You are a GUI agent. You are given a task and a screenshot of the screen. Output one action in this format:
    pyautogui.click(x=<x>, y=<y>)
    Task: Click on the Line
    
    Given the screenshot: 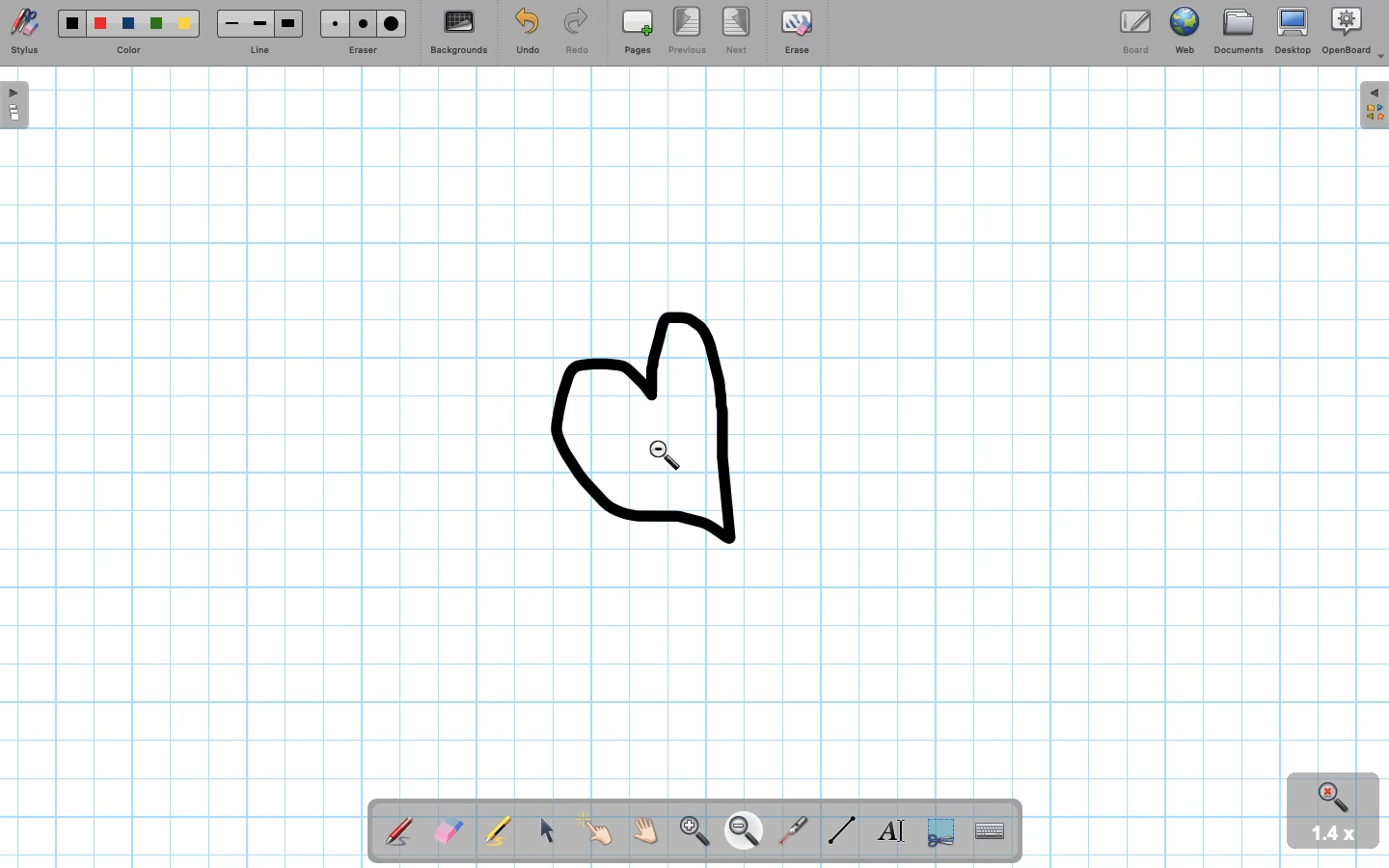 What is the action you would take?
    pyautogui.click(x=838, y=829)
    